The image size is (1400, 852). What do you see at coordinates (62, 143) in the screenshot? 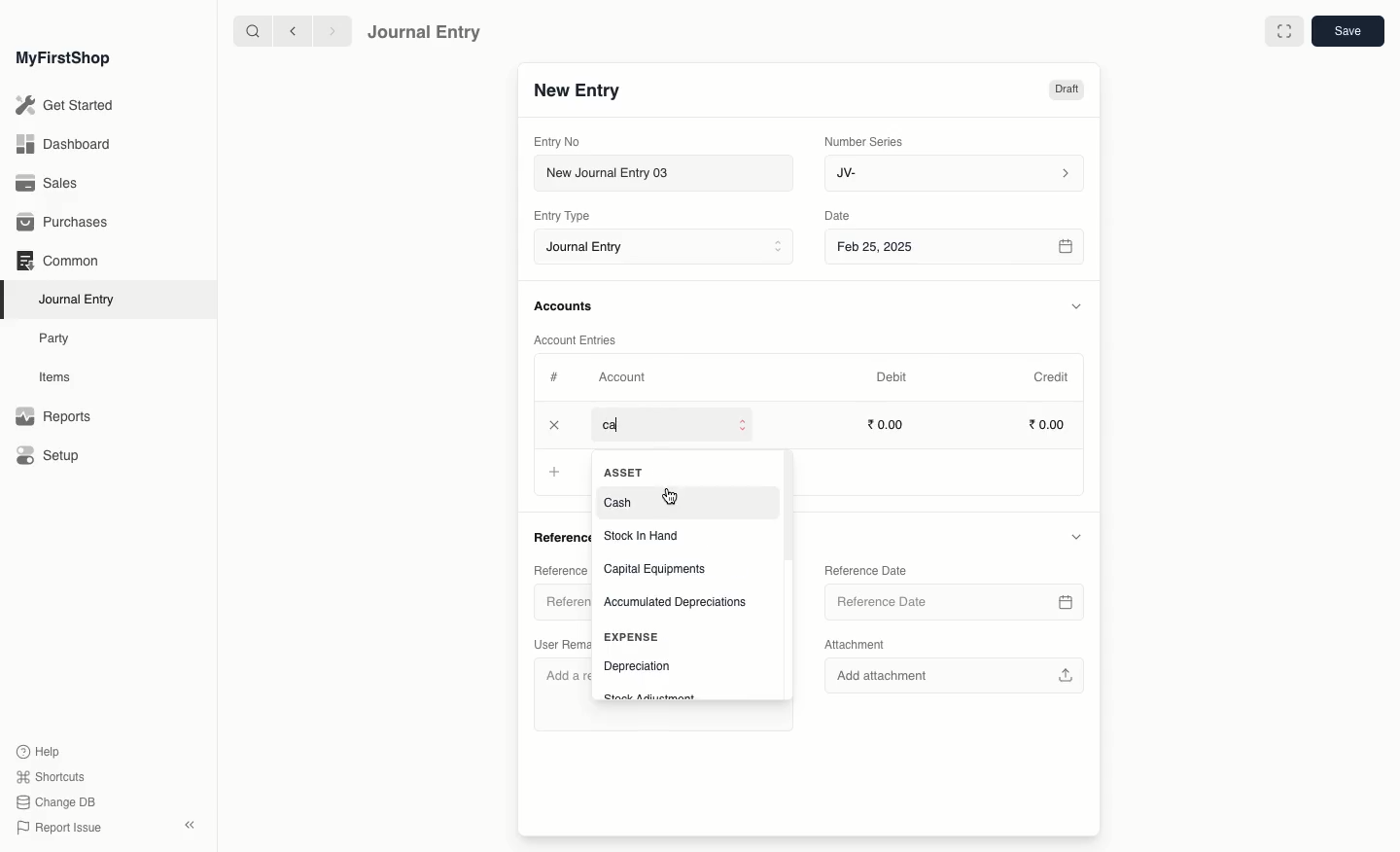
I see `Dashboard` at bounding box center [62, 143].